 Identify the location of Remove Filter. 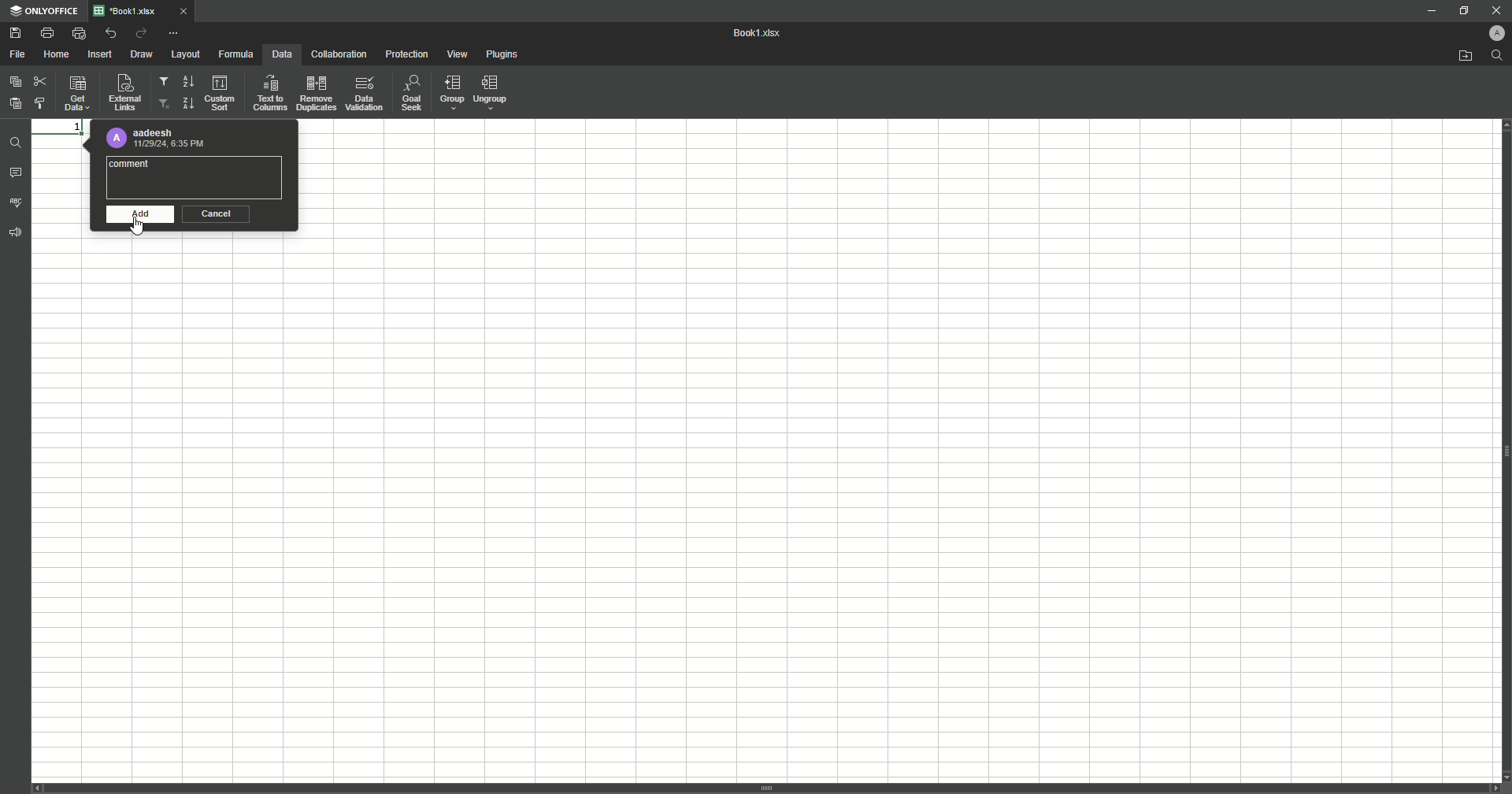
(165, 104).